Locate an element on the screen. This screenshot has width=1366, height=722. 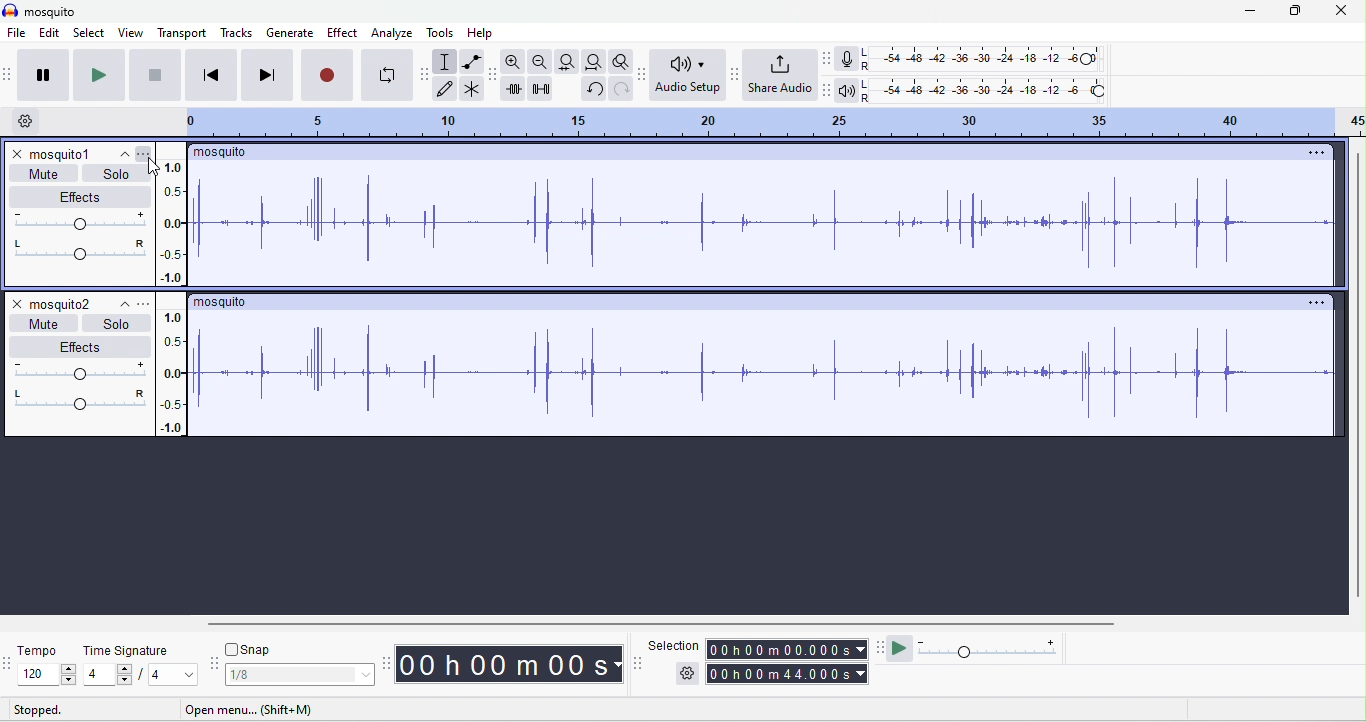
maximize is located at coordinates (1294, 11).